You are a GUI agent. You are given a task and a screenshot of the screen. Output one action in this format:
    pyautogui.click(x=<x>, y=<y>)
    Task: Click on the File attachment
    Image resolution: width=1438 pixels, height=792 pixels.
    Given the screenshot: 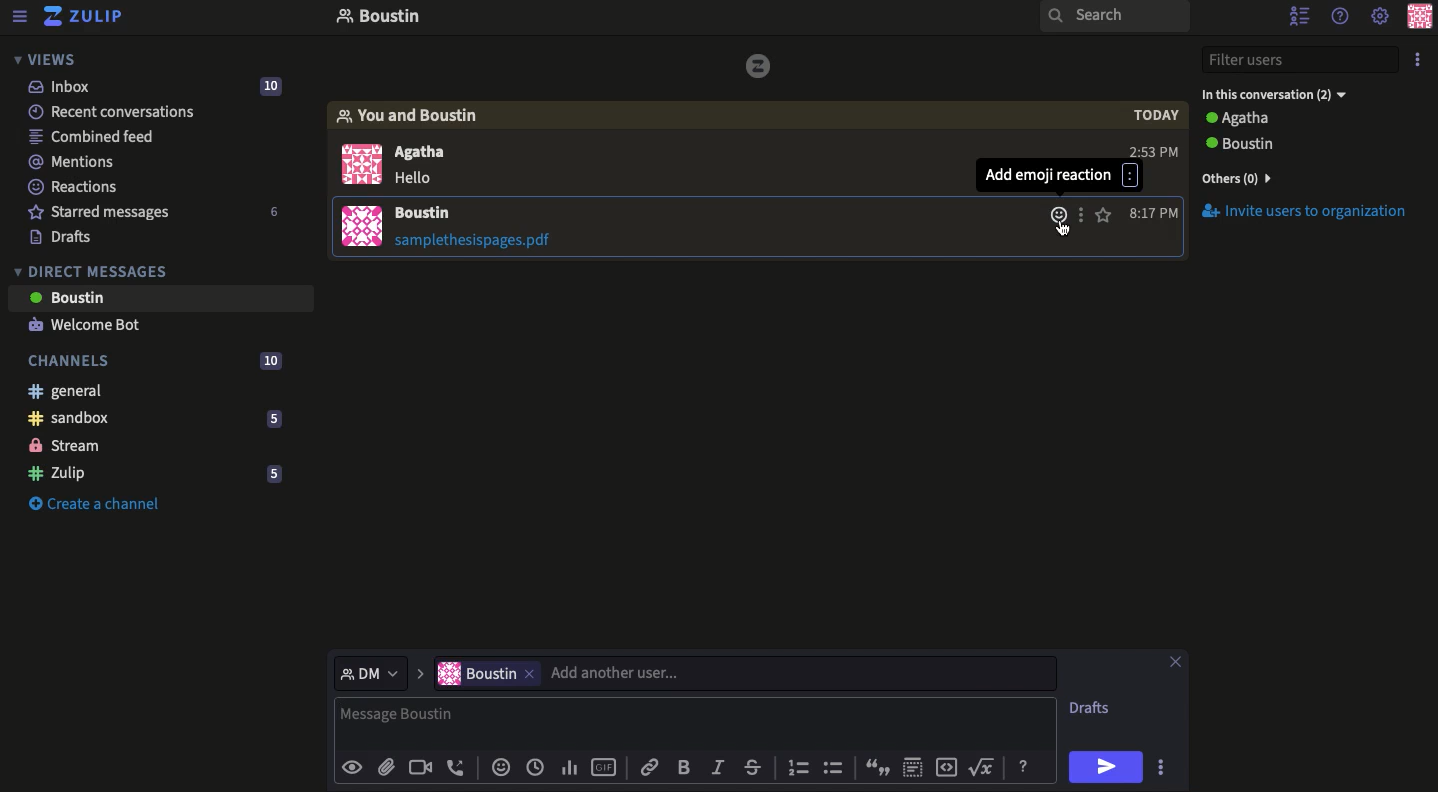 What is the action you would take?
    pyautogui.click(x=485, y=242)
    